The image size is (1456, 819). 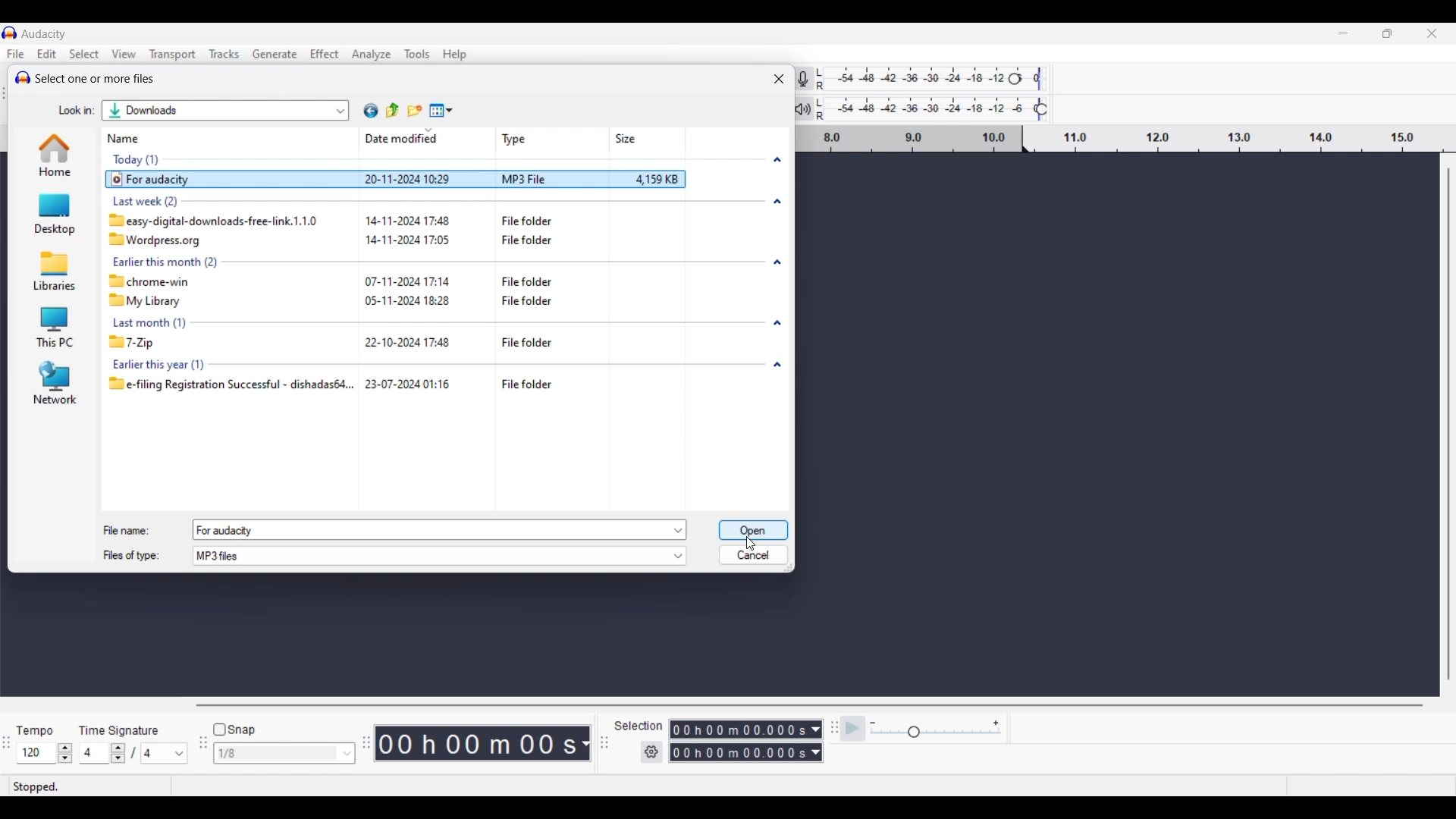 What do you see at coordinates (745, 755) in the screenshot?
I see `00h00m00.000s` at bounding box center [745, 755].